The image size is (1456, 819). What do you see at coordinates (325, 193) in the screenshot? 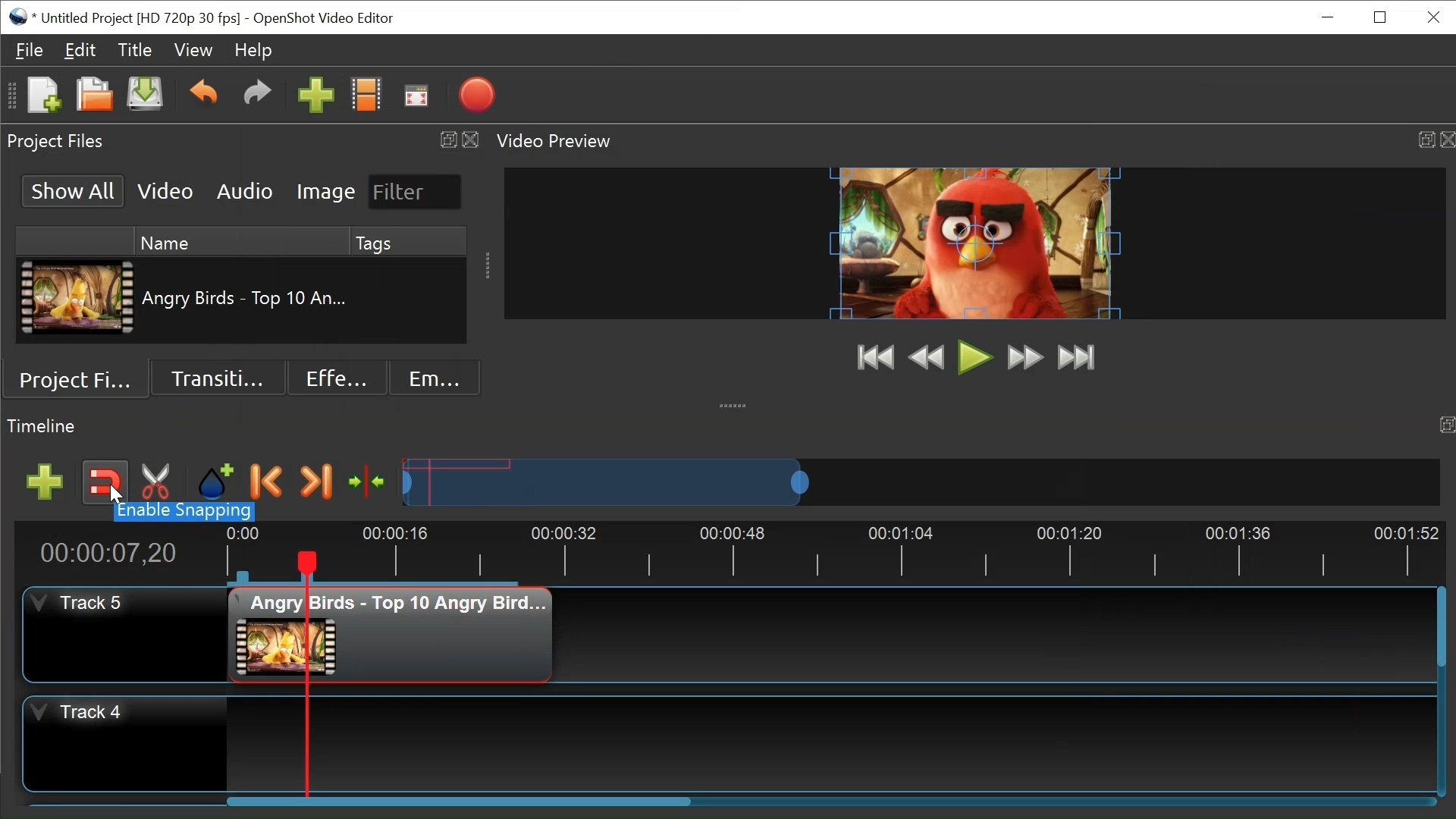
I see `Image` at bounding box center [325, 193].